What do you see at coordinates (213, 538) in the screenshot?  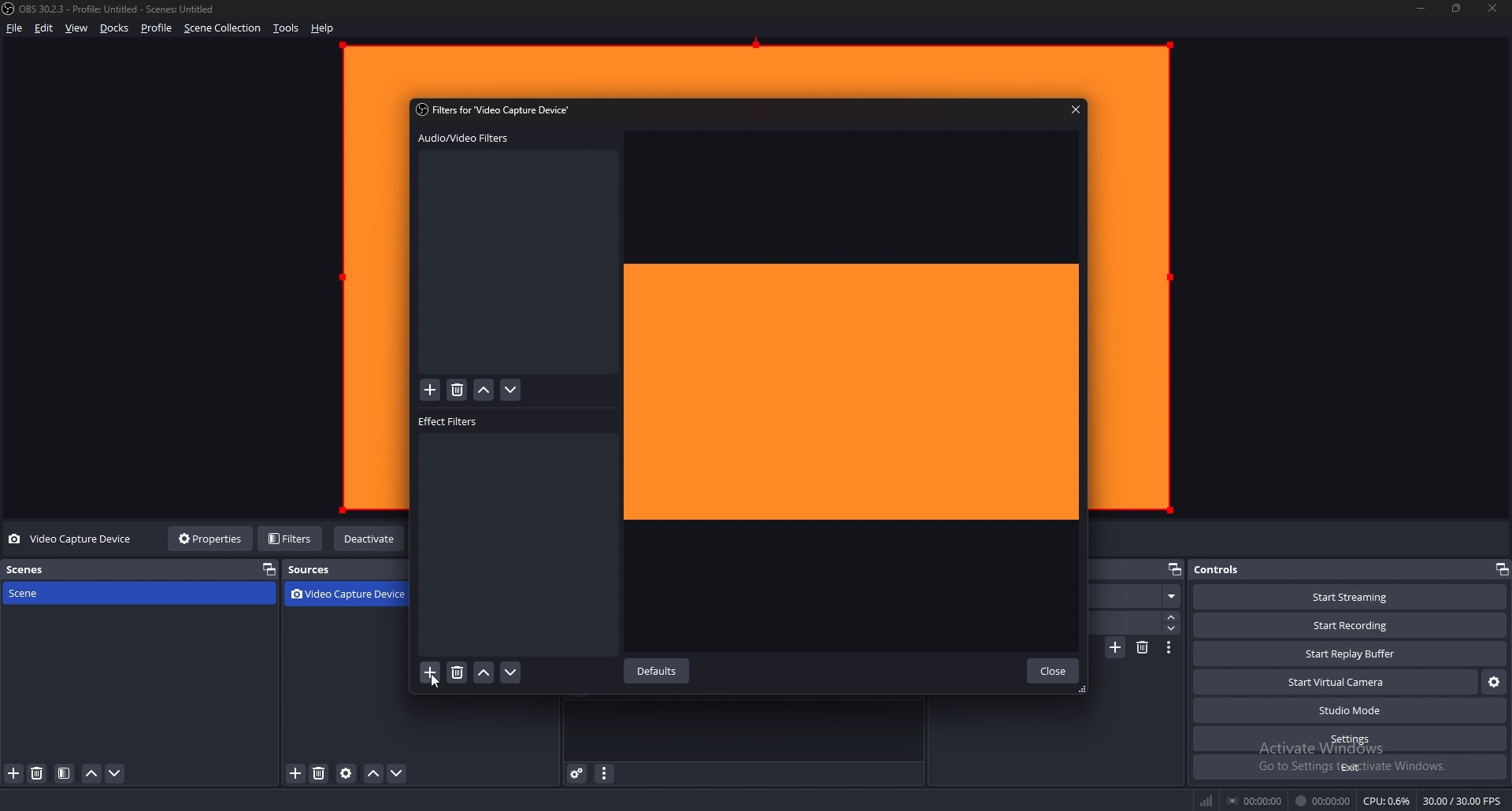 I see `properties` at bounding box center [213, 538].